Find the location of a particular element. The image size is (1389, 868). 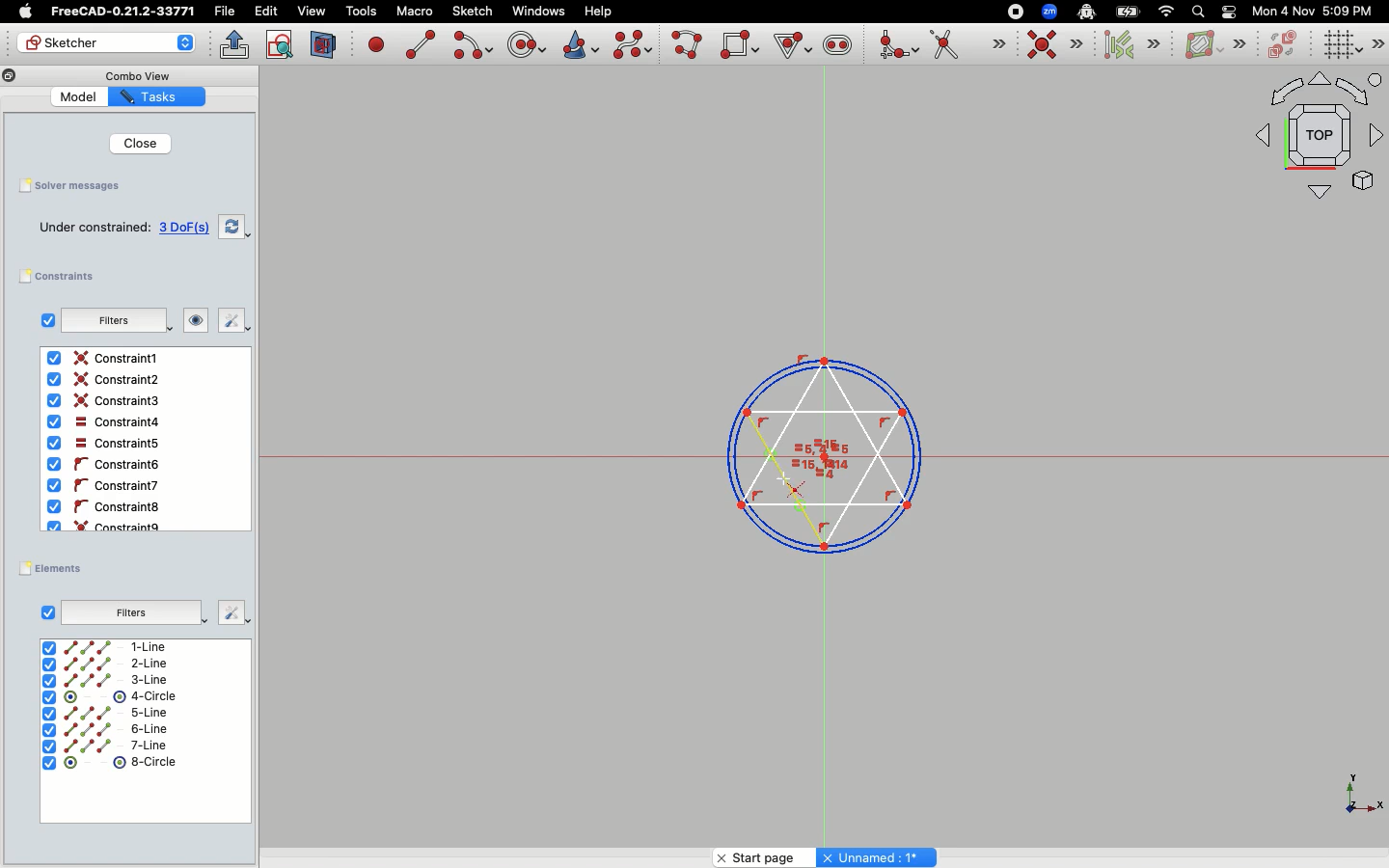

Sketch is located at coordinates (474, 12).